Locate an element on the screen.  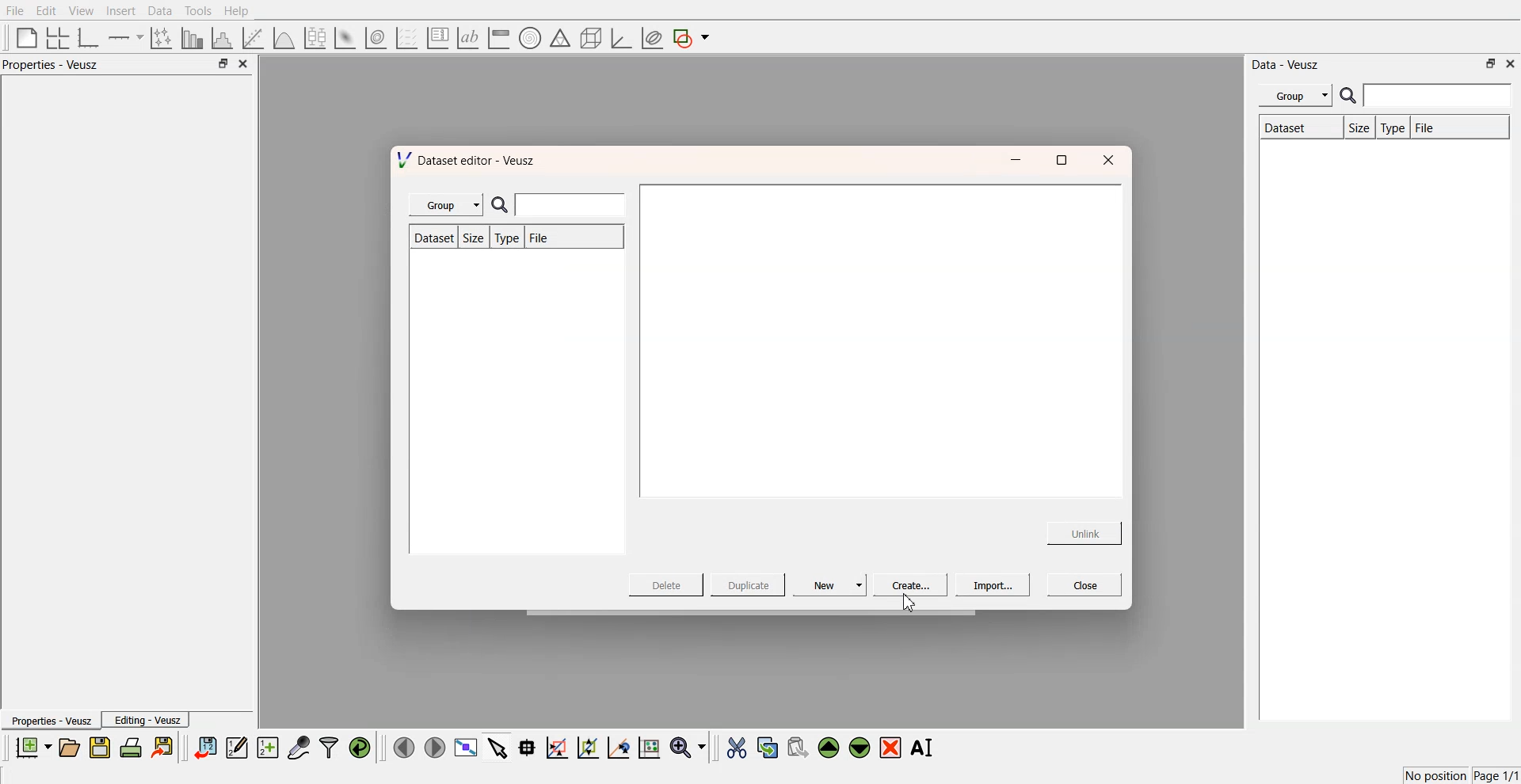
Group | is located at coordinates (448, 205).